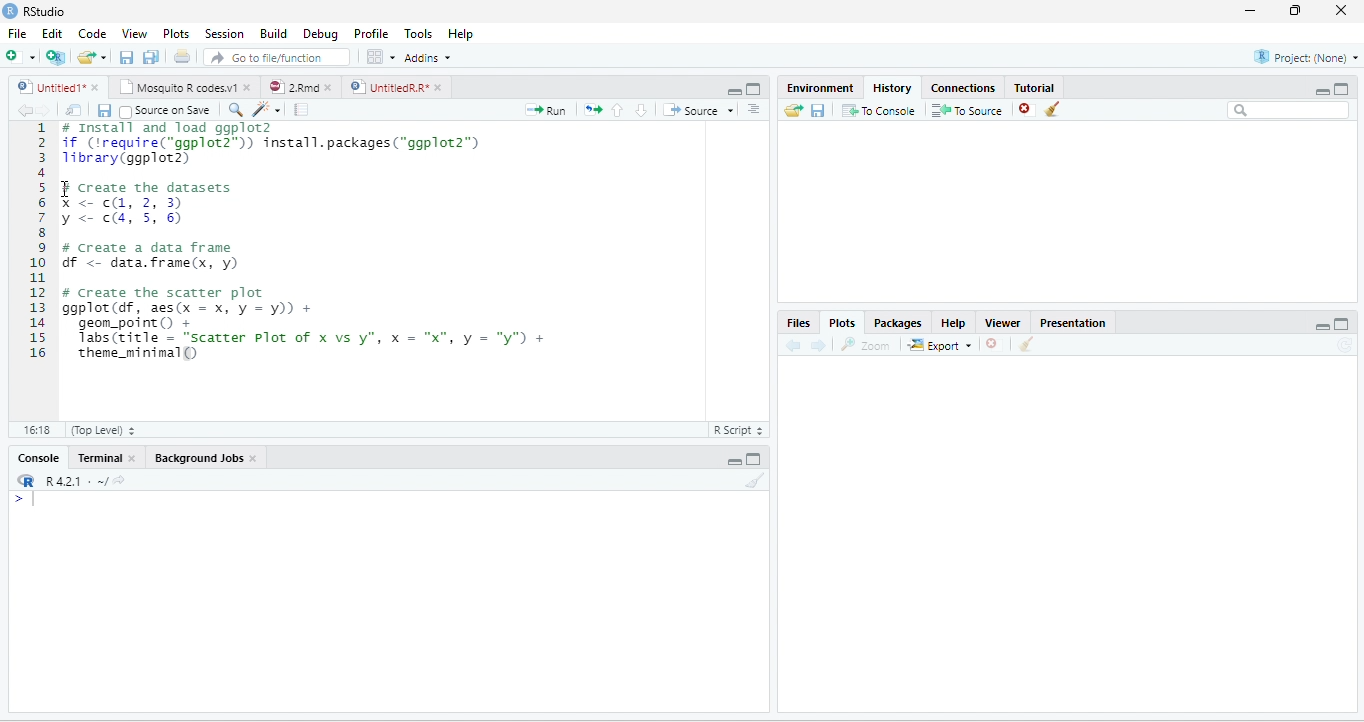 The image size is (1364, 722). What do you see at coordinates (641, 110) in the screenshot?
I see `Go to next section/chunk` at bounding box center [641, 110].